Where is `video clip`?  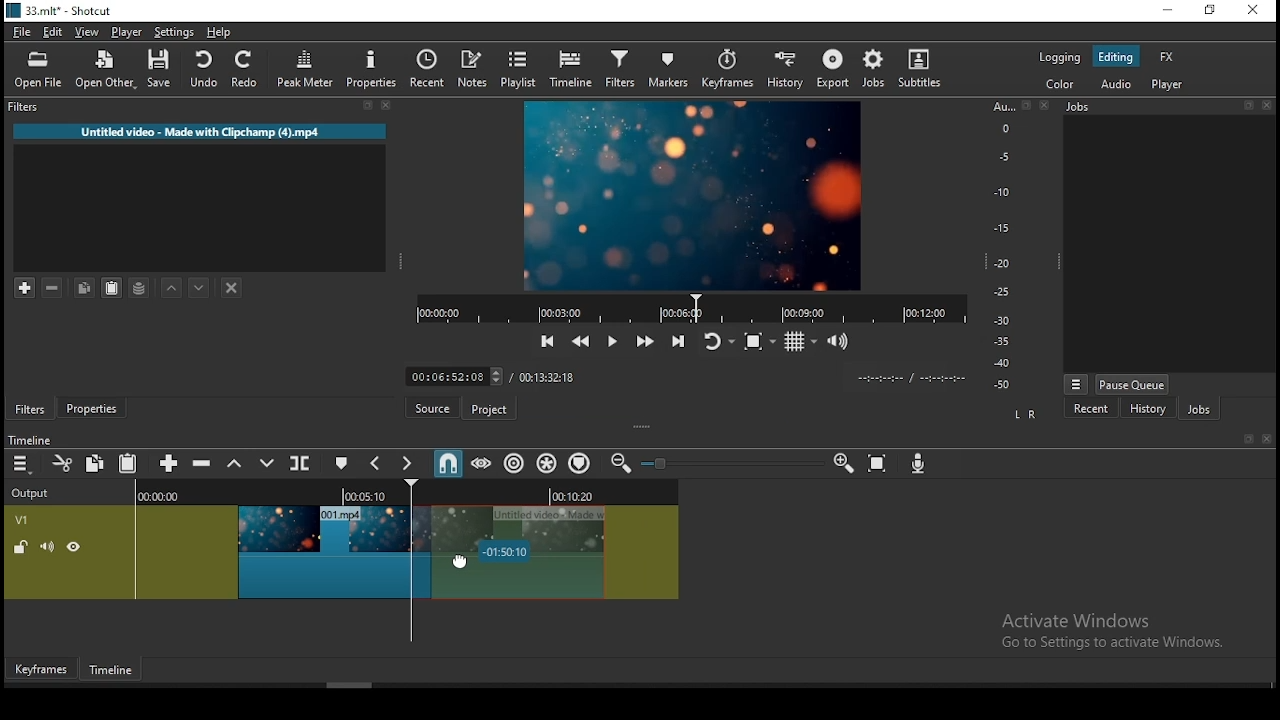 video clip is located at coordinates (322, 555).